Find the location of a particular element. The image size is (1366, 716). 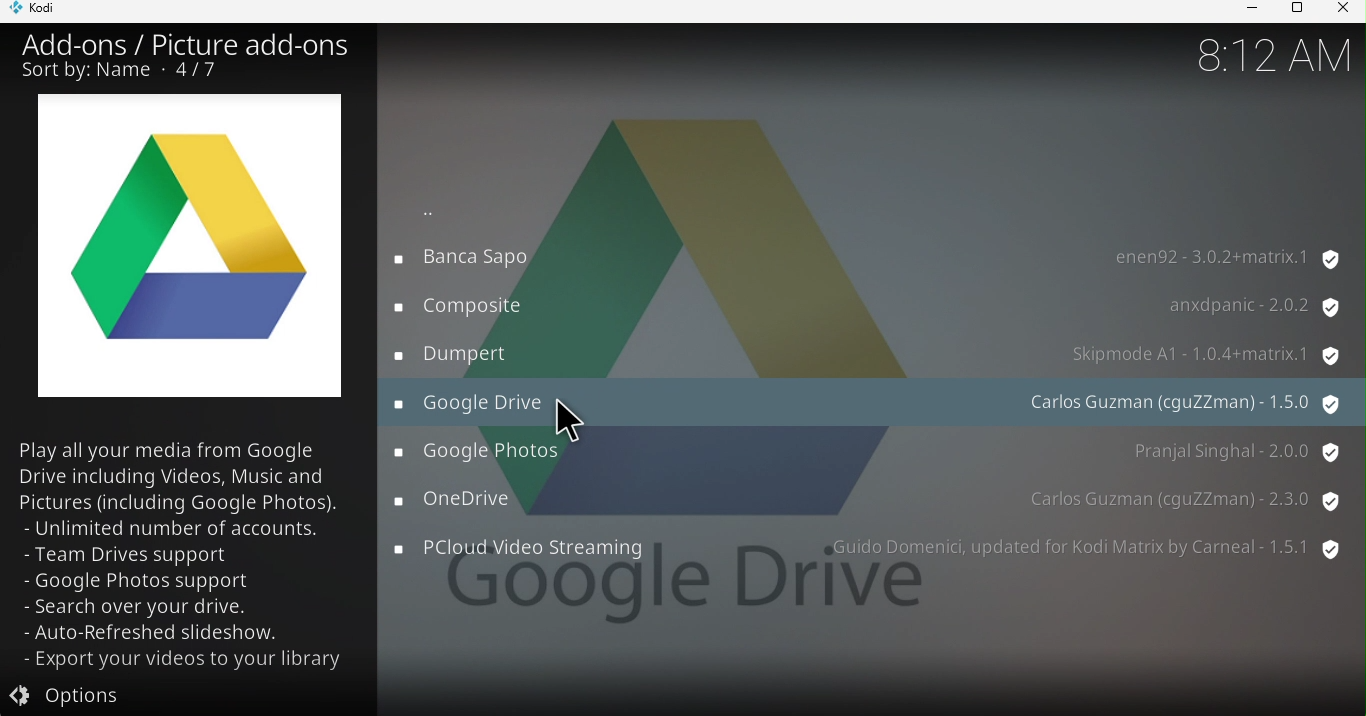

Composite is located at coordinates (869, 305).